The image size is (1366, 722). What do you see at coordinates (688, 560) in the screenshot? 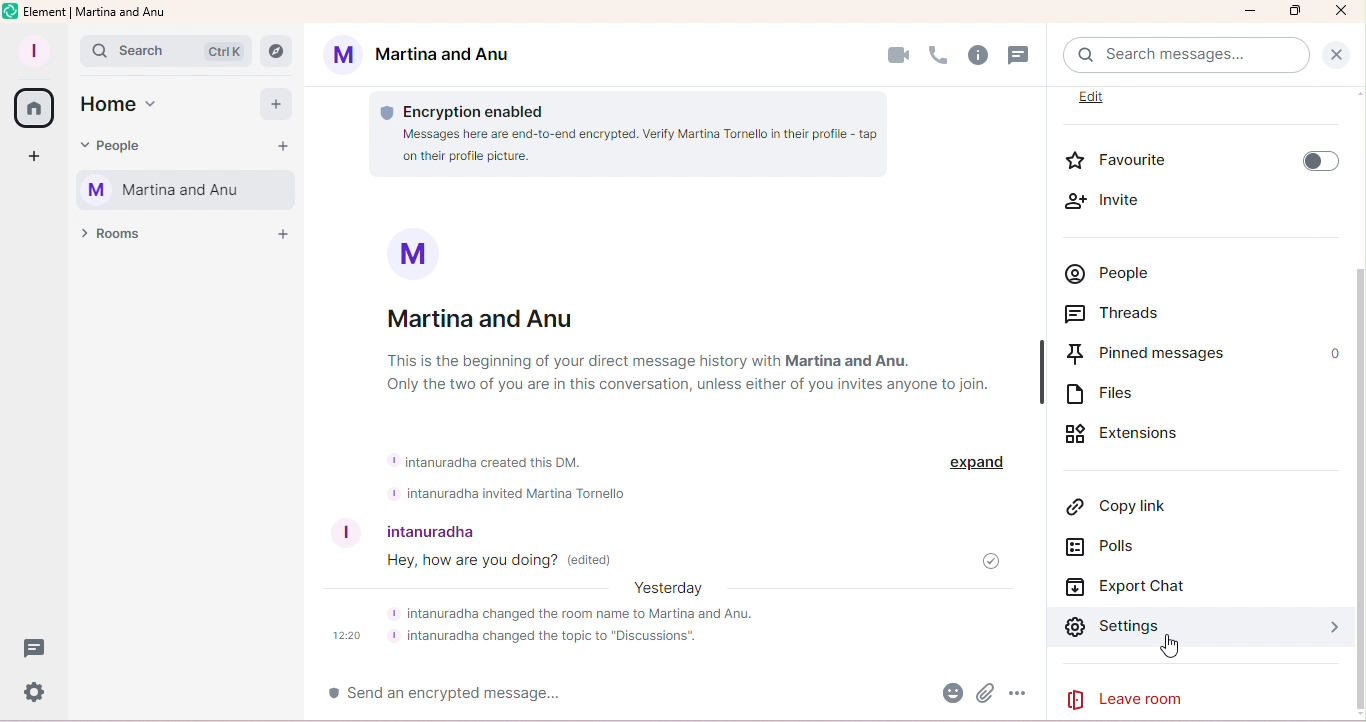
I see `Message space` at bounding box center [688, 560].